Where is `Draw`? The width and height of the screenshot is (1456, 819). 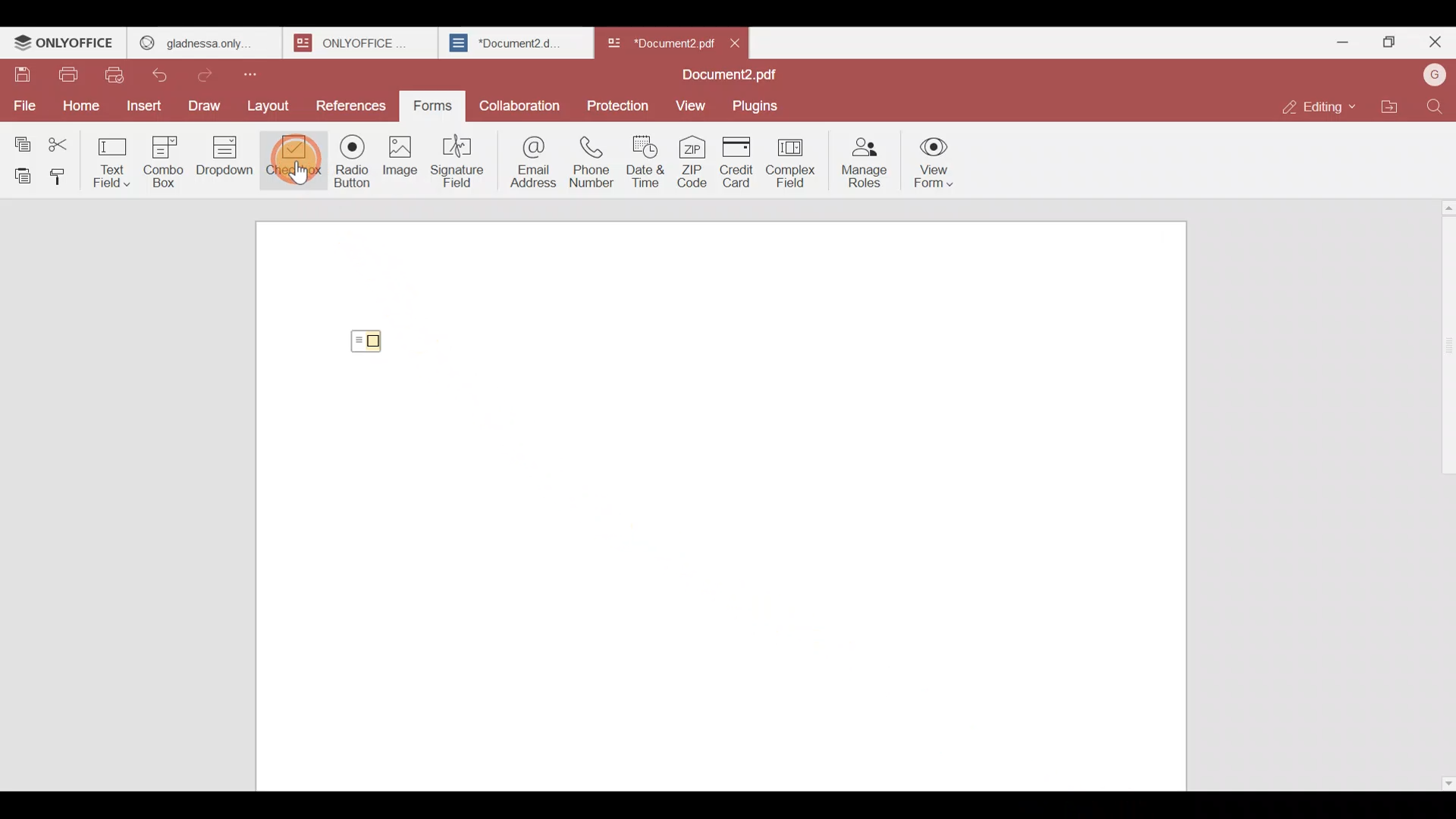 Draw is located at coordinates (209, 104).